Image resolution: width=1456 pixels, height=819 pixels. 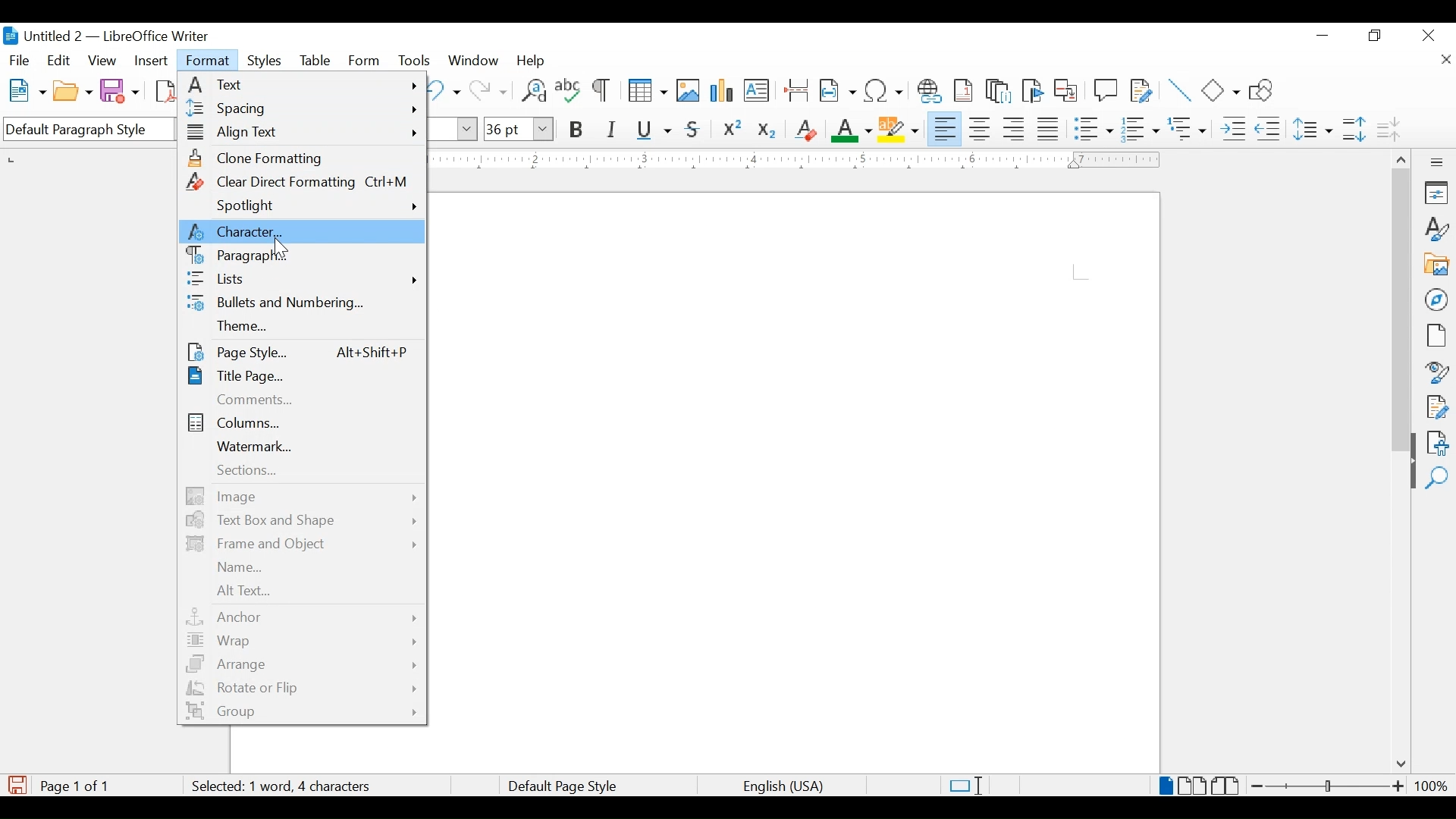 I want to click on scroll box, so click(x=1401, y=312).